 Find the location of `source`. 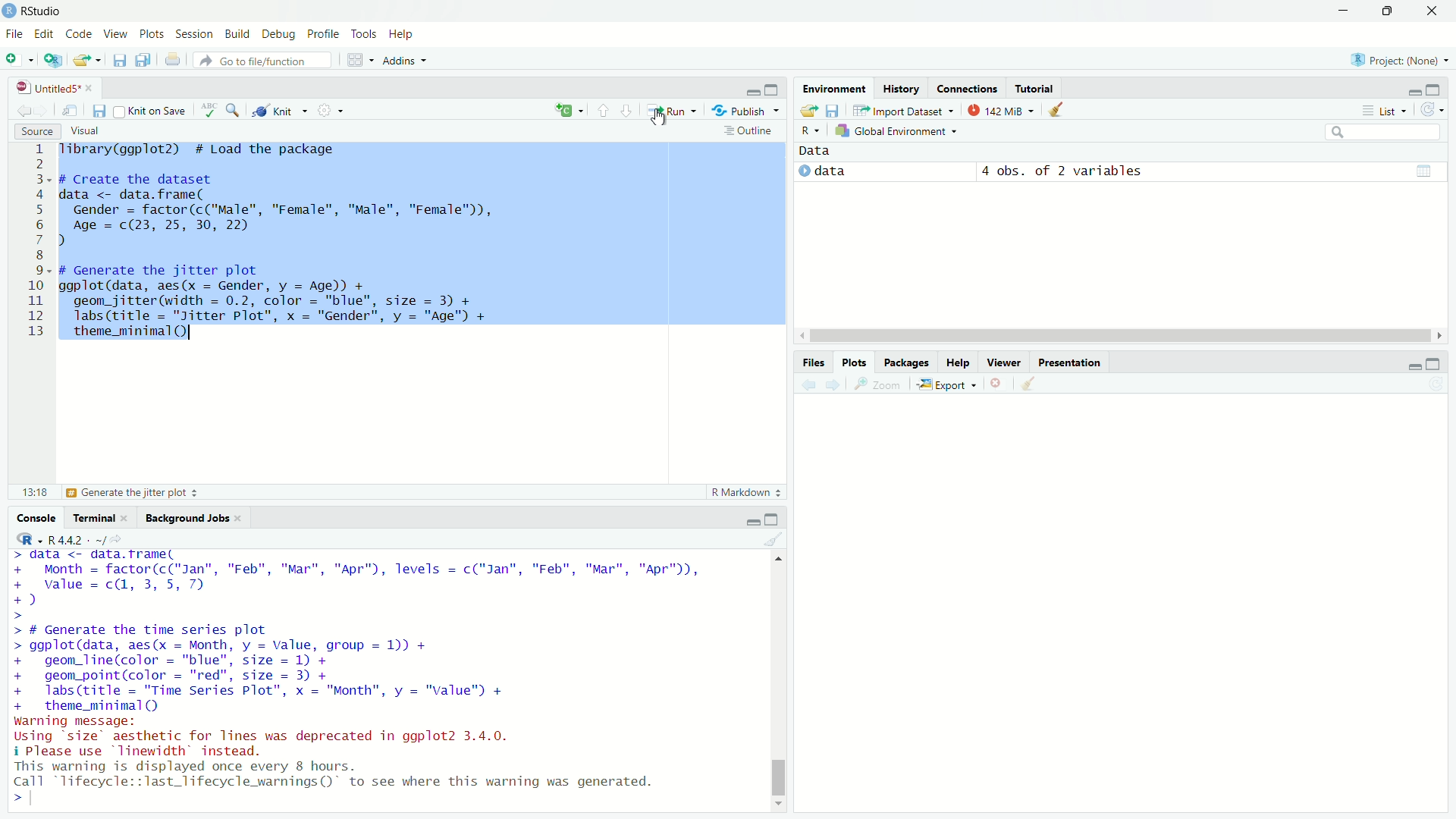

source is located at coordinates (30, 130).